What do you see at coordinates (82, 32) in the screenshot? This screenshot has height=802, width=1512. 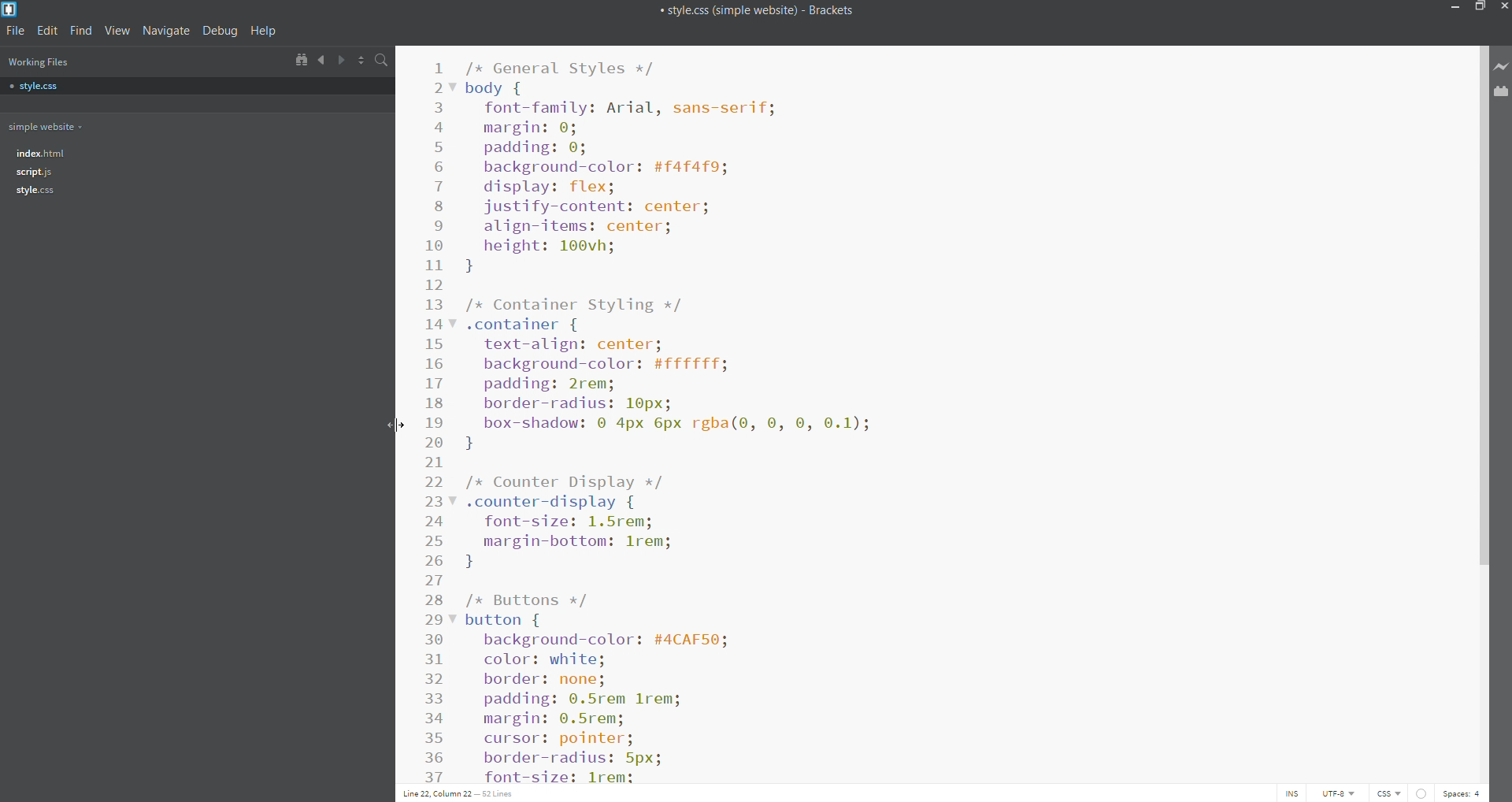 I see `find` at bounding box center [82, 32].